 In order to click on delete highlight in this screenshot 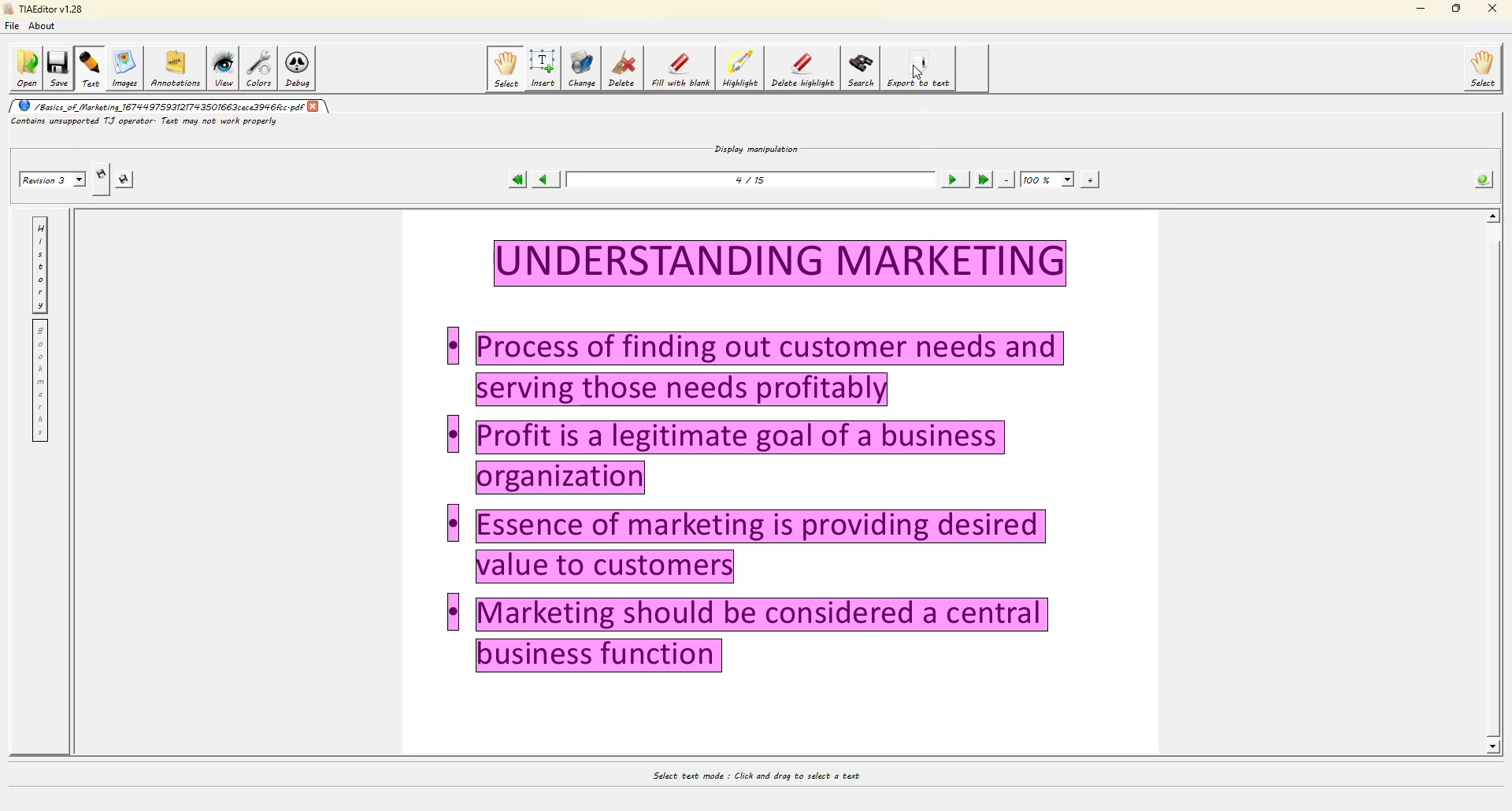, I will do `click(805, 65)`.